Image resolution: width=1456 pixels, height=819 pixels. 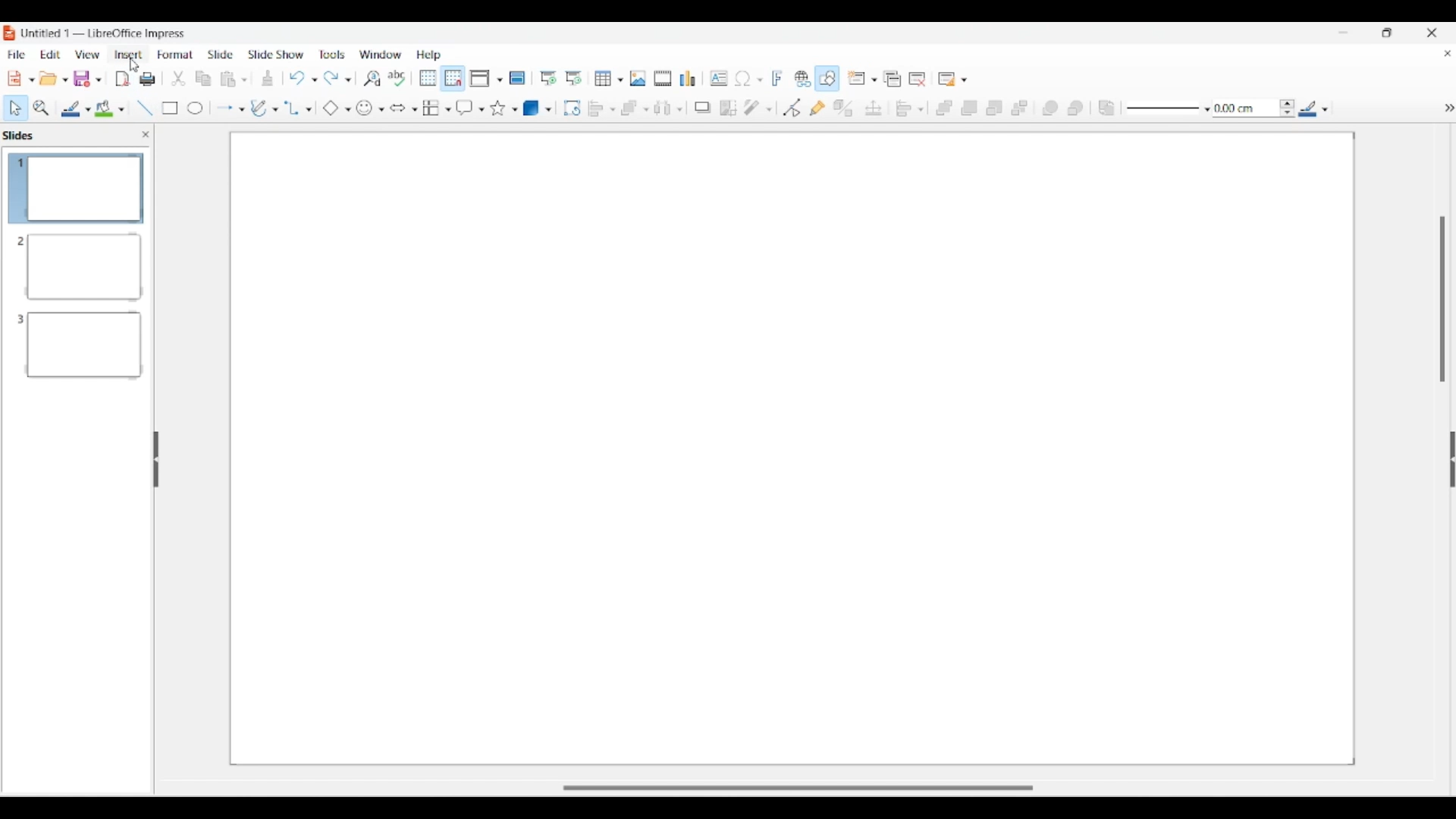 I want to click on Select option highlighted, so click(x=15, y=108).